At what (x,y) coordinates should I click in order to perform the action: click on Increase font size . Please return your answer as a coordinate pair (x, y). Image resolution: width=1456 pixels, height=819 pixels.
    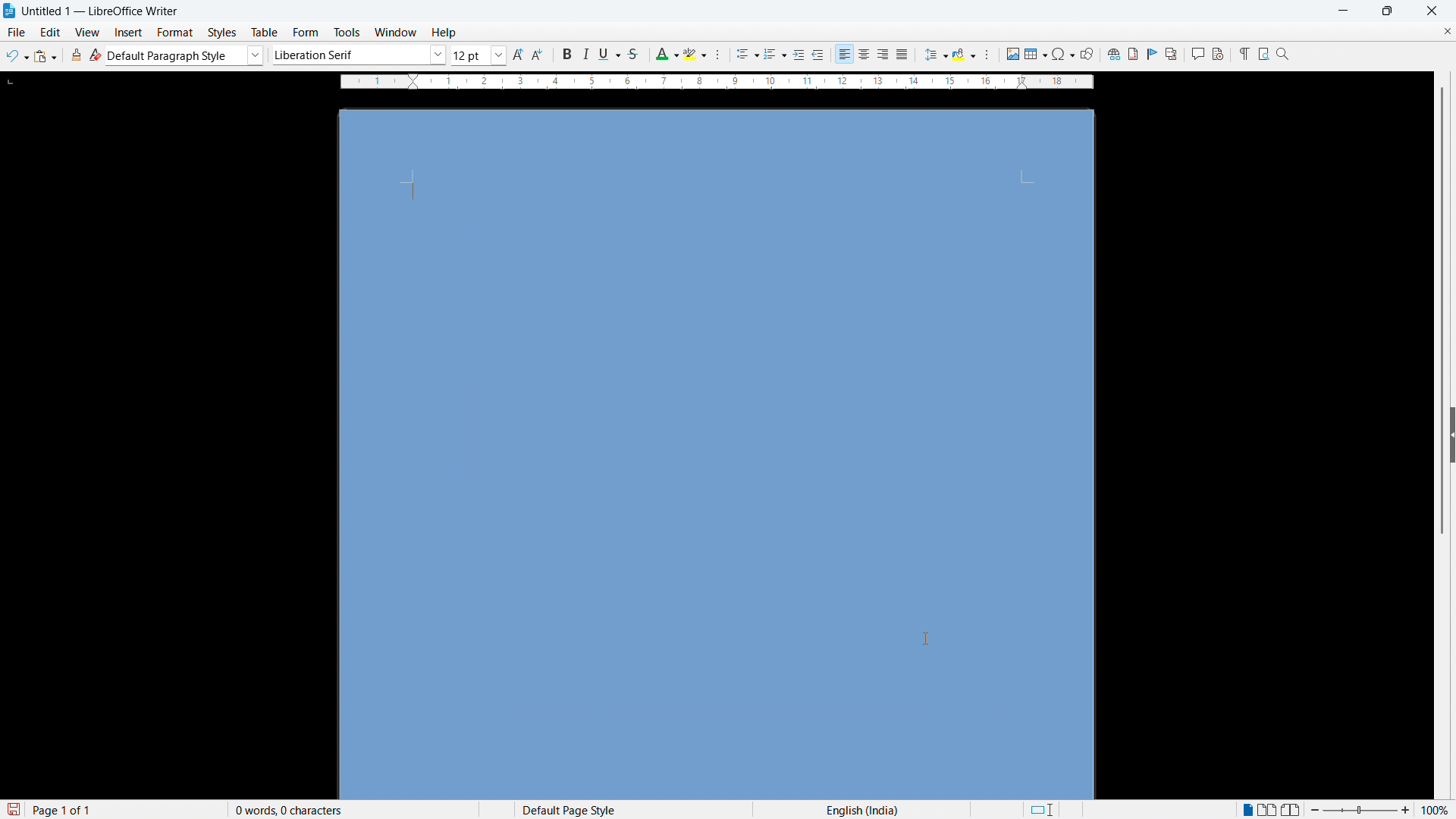
    Looking at the image, I should click on (519, 55).